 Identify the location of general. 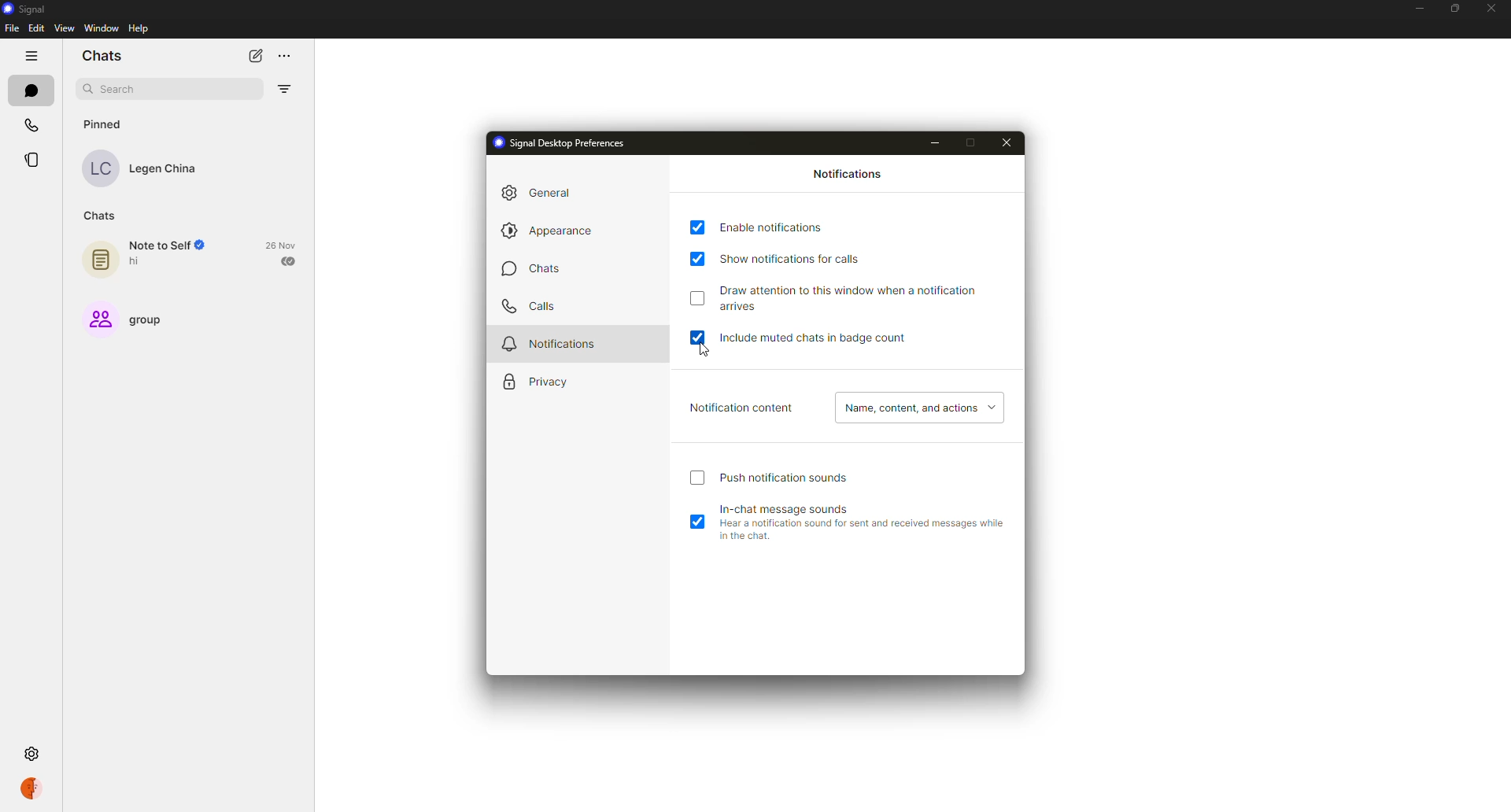
(535, 193).